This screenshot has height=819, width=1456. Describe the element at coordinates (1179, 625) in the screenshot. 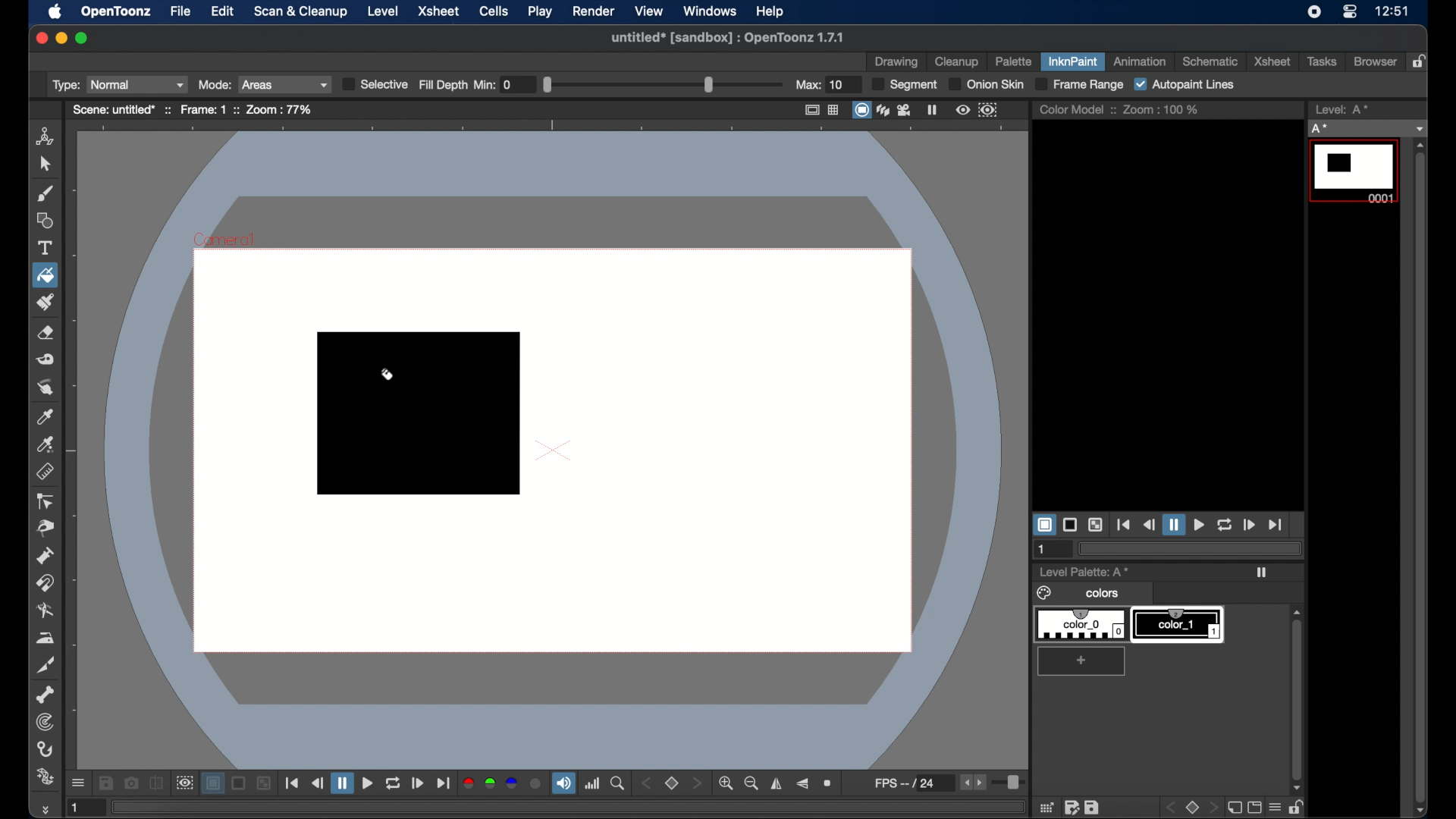

I see `color_1` at that location.